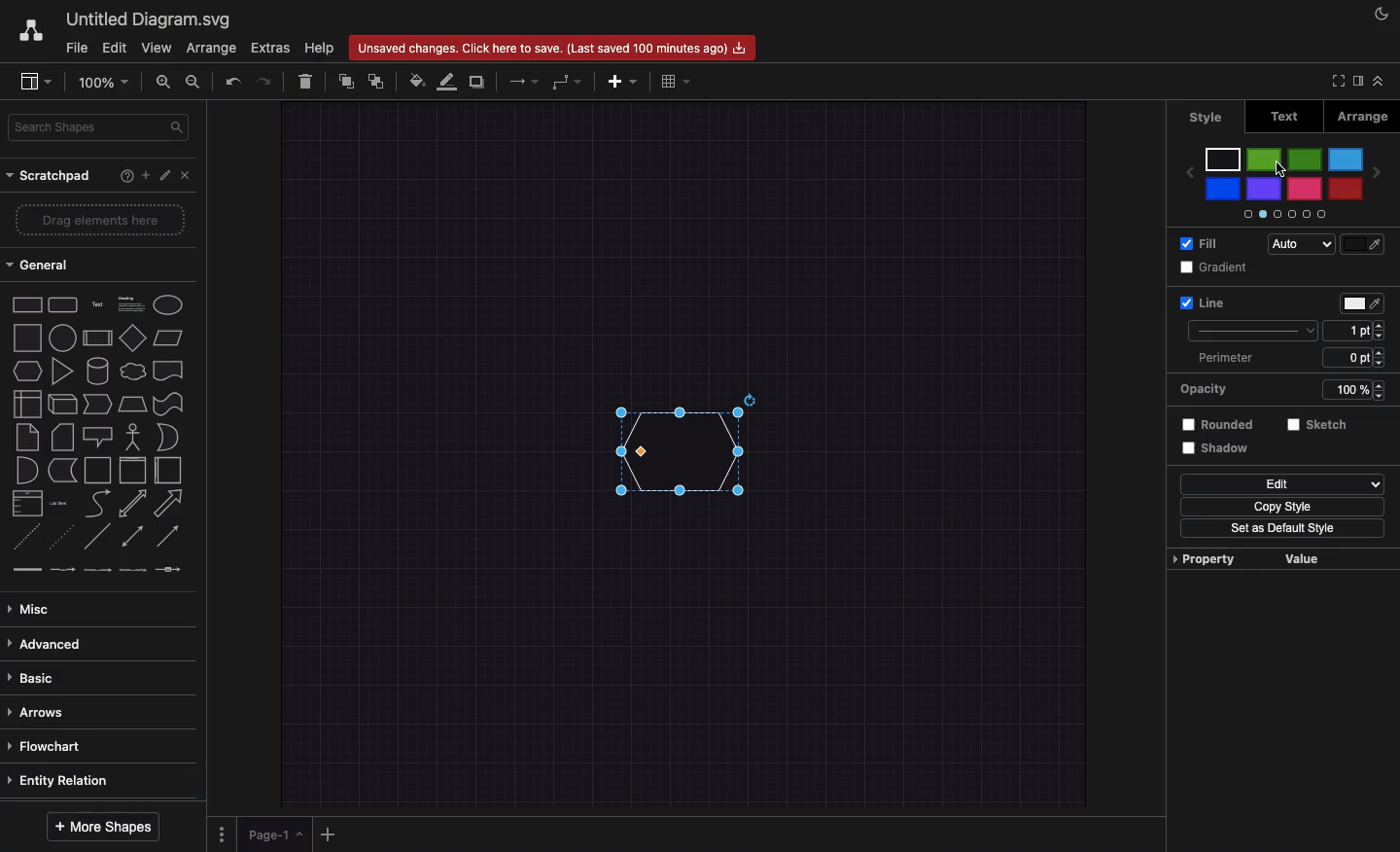 Image resolution: width=1400 pixels, height=852 pixels. Describe the element at coordinates (1282, 482) in the screenshot. I see `Edit` at that location.